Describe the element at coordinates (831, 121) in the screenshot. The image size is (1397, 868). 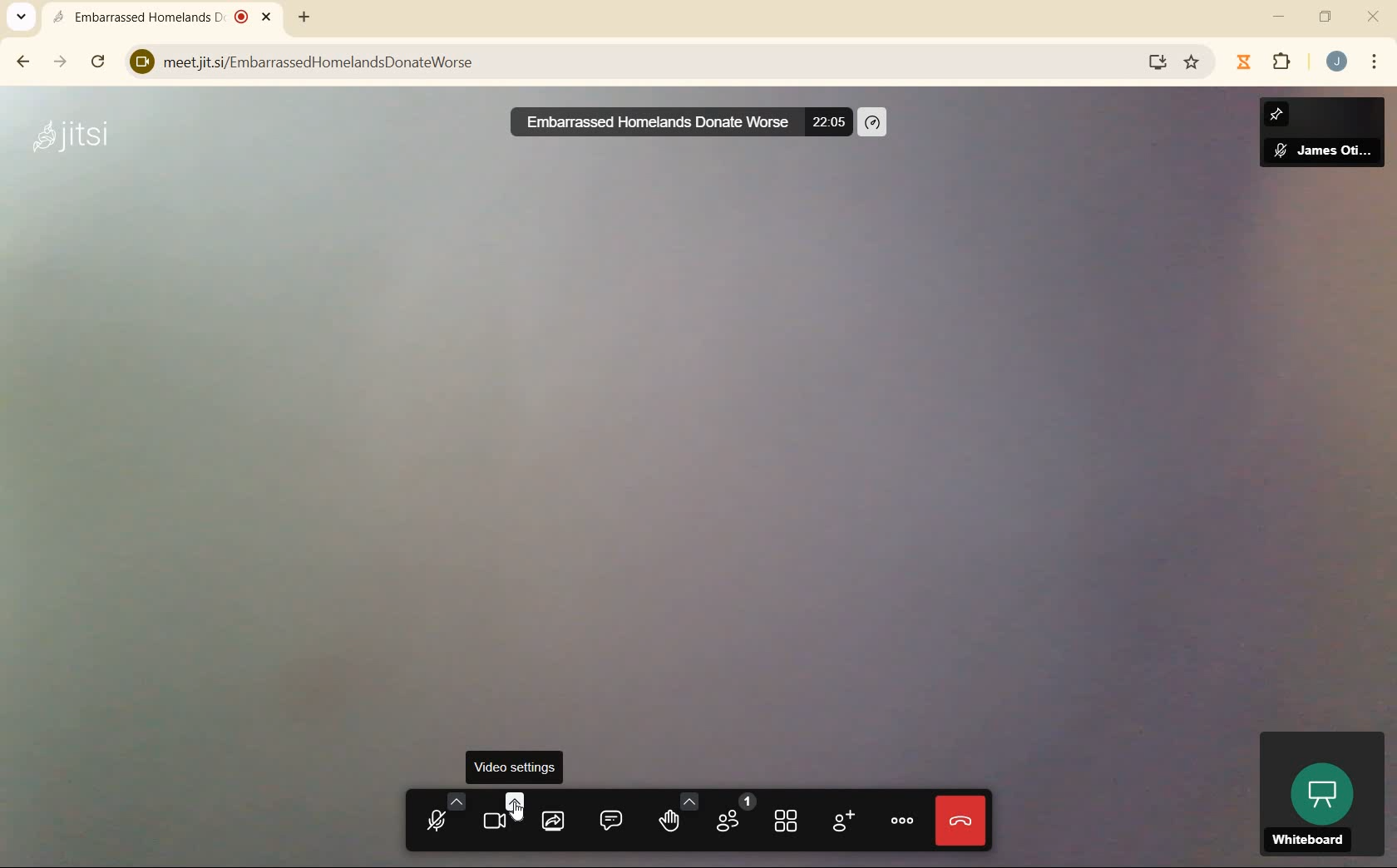
I see `22:05` at that location.